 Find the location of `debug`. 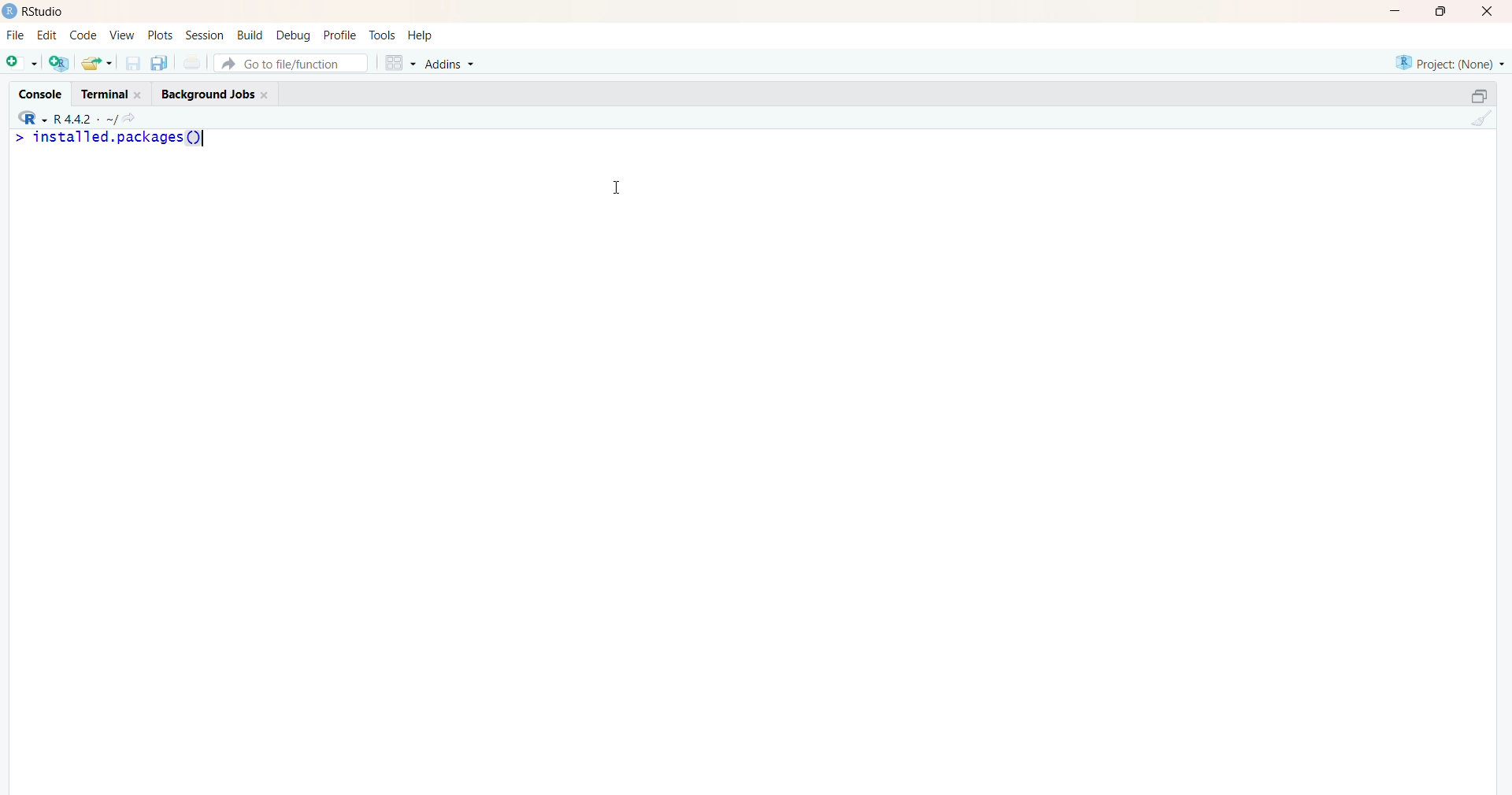

debug is located at coordinates (294, 35).